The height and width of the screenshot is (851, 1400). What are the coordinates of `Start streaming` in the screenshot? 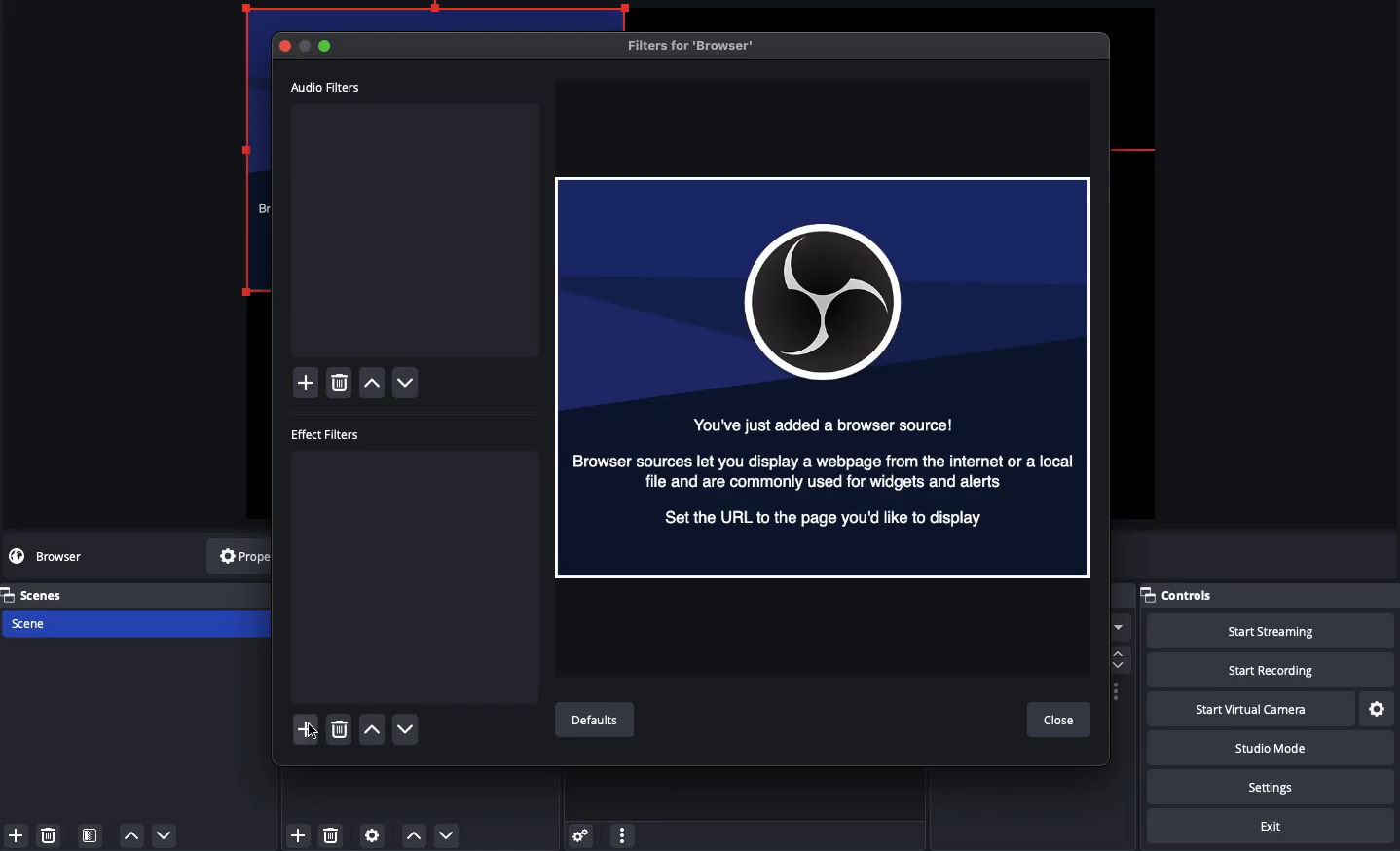 It's located at (1262, 631).